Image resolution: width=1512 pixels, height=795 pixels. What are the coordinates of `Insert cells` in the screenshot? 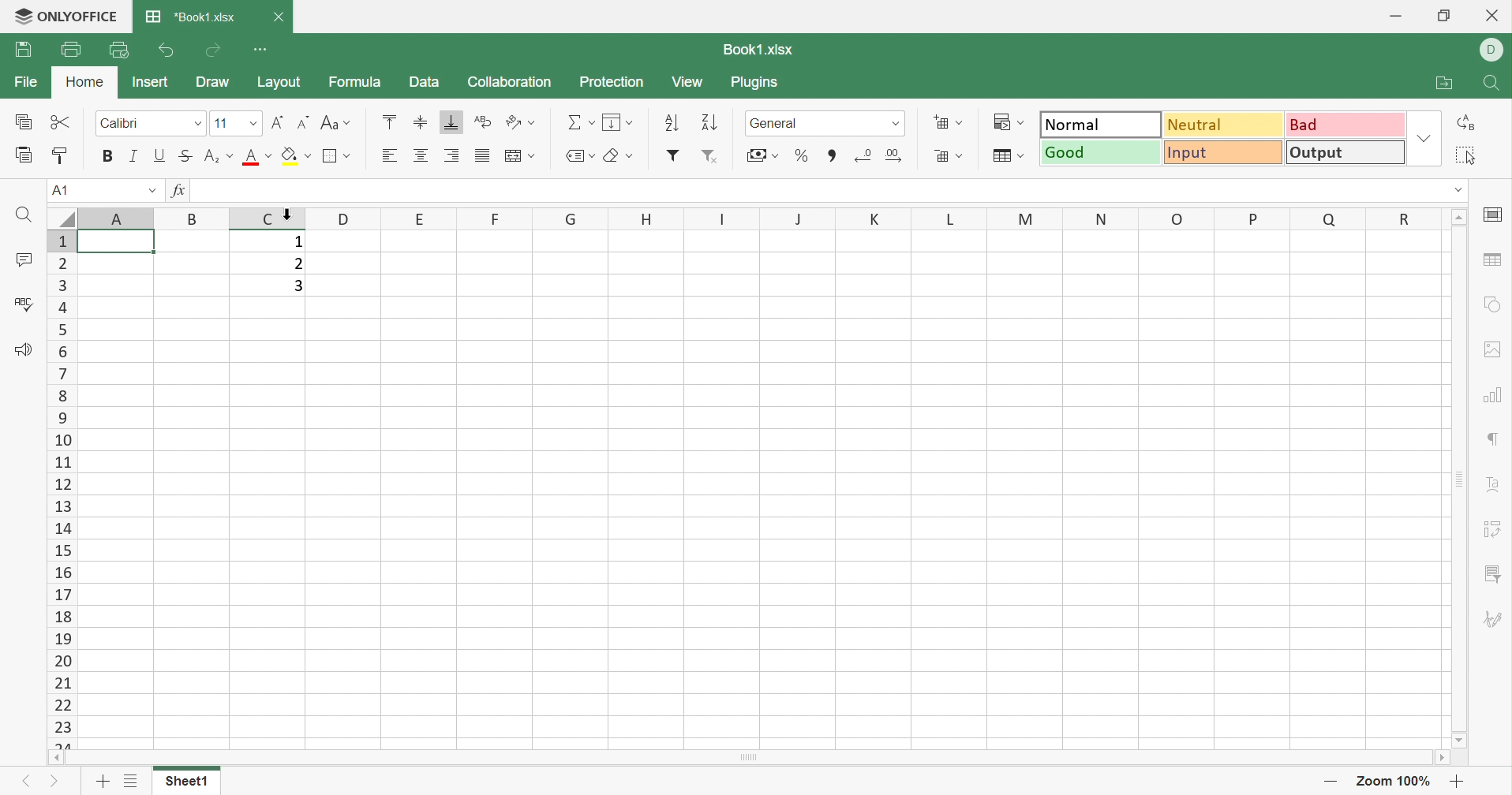 It's located at (938, 121).